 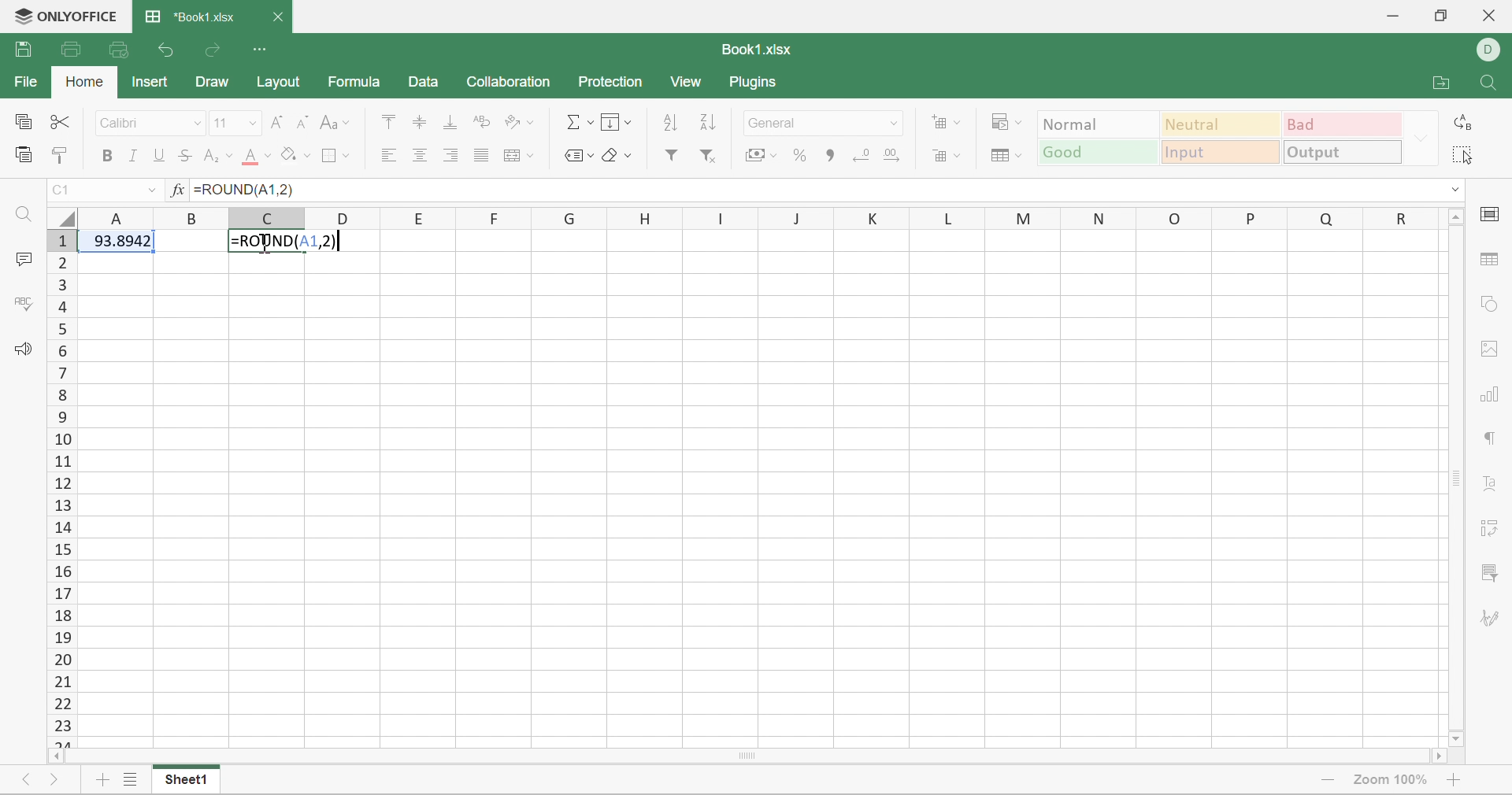 What do you see at coordinates (515, 122) in the screenshot?
I see `Orientation` at bounding box center [515, 122].